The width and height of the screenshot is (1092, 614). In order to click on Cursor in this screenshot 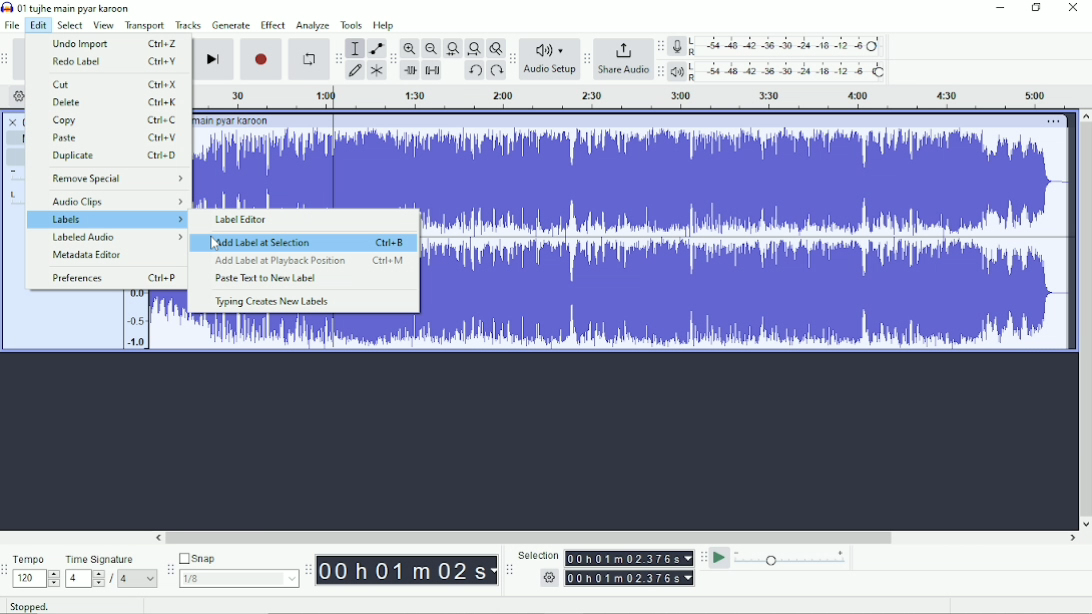, I will do `click(215, 244)`.